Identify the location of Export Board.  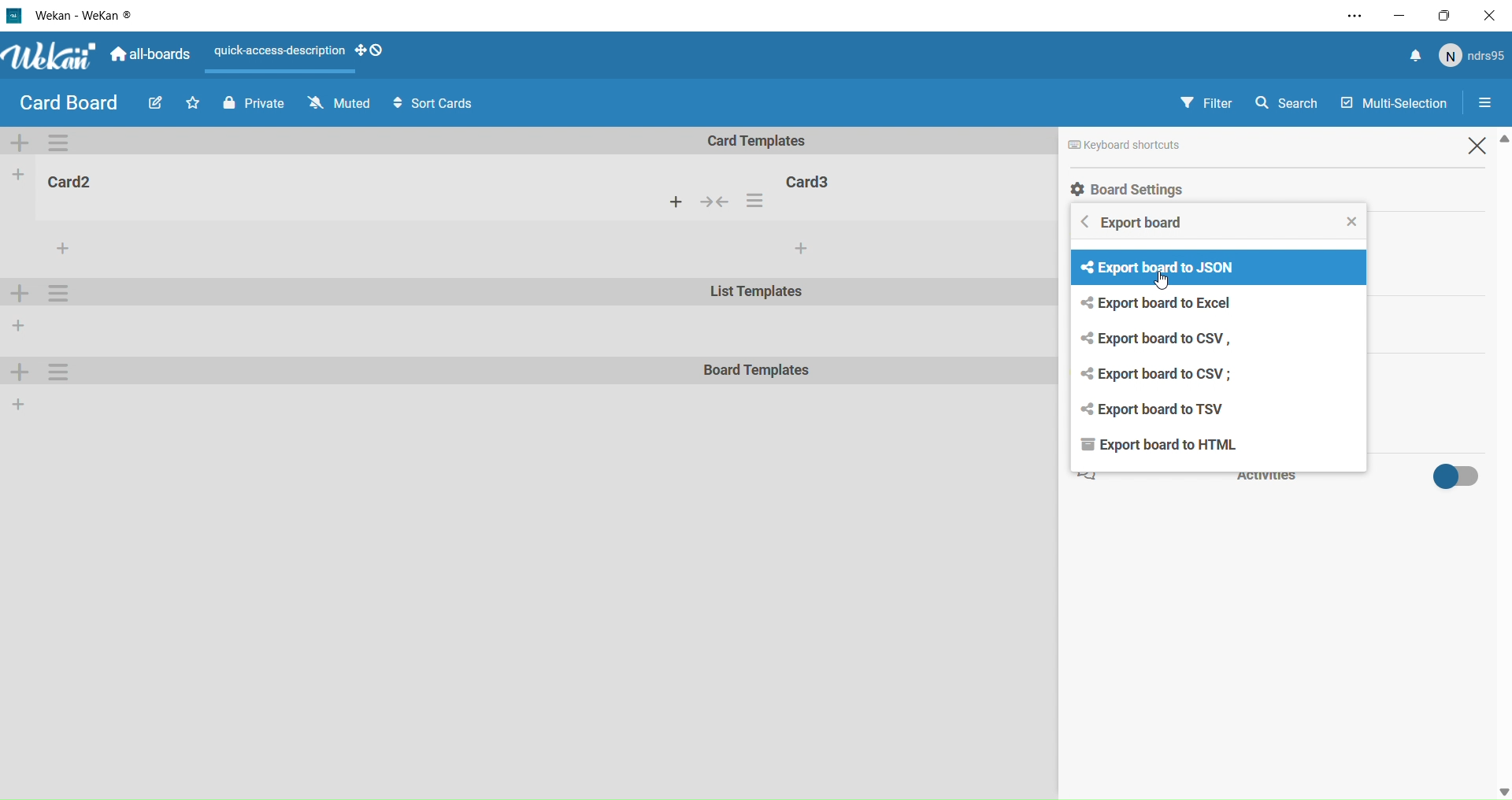
(1140, 226).